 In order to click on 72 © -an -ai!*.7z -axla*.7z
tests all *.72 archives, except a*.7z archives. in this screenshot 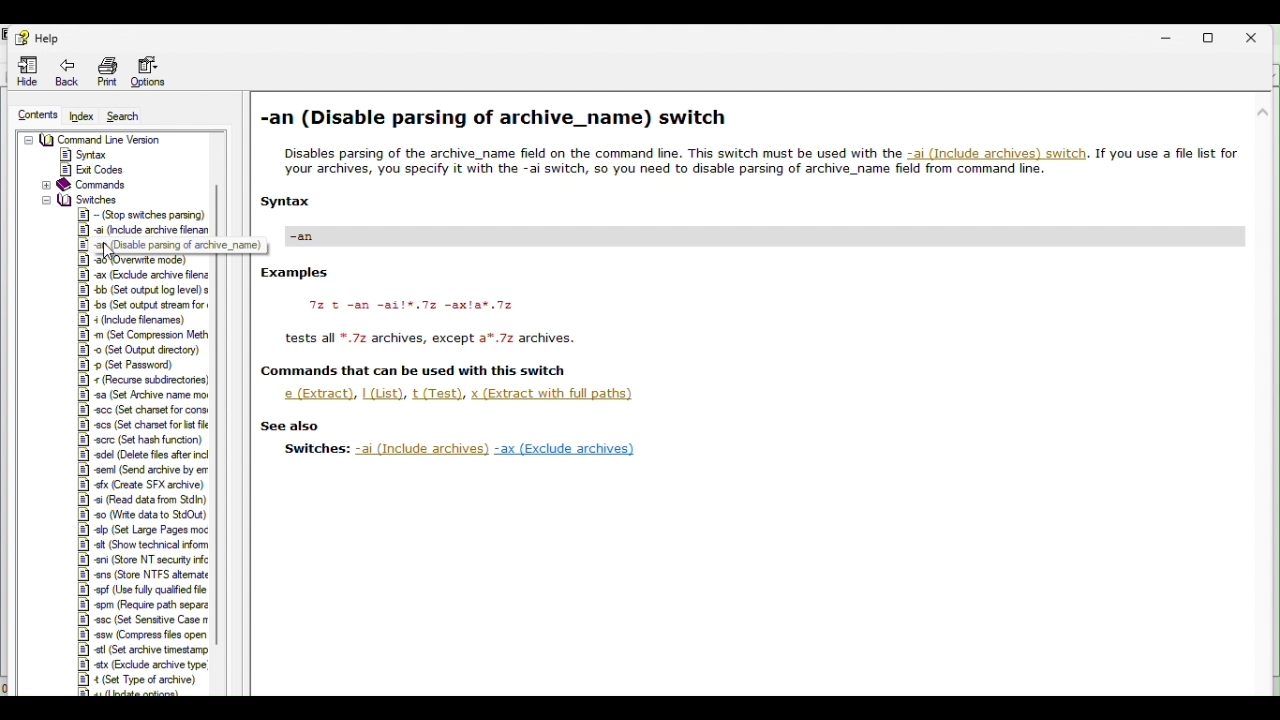, I will do `click(442, 326)`.